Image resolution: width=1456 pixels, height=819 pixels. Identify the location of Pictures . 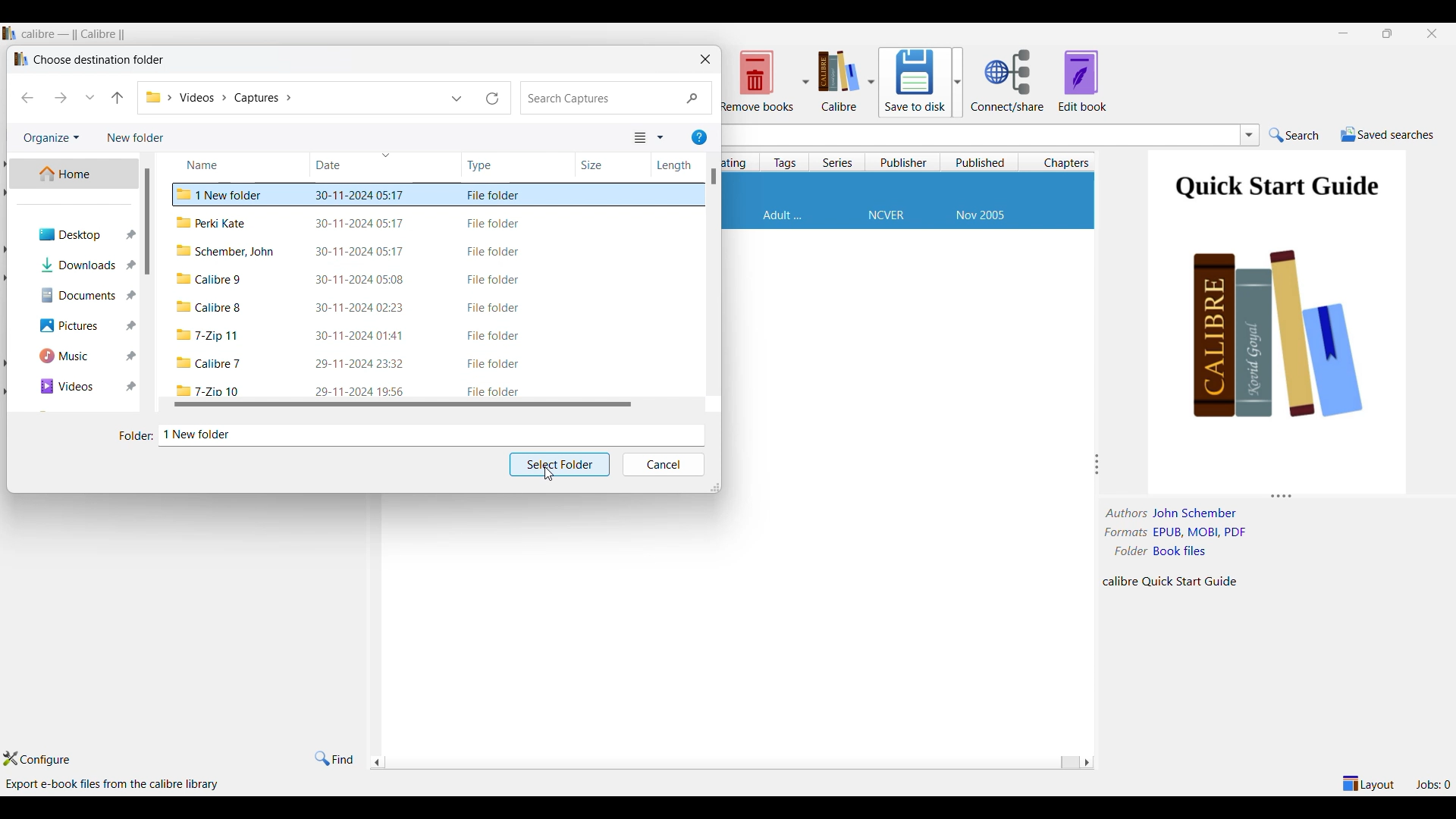
(80, 326).